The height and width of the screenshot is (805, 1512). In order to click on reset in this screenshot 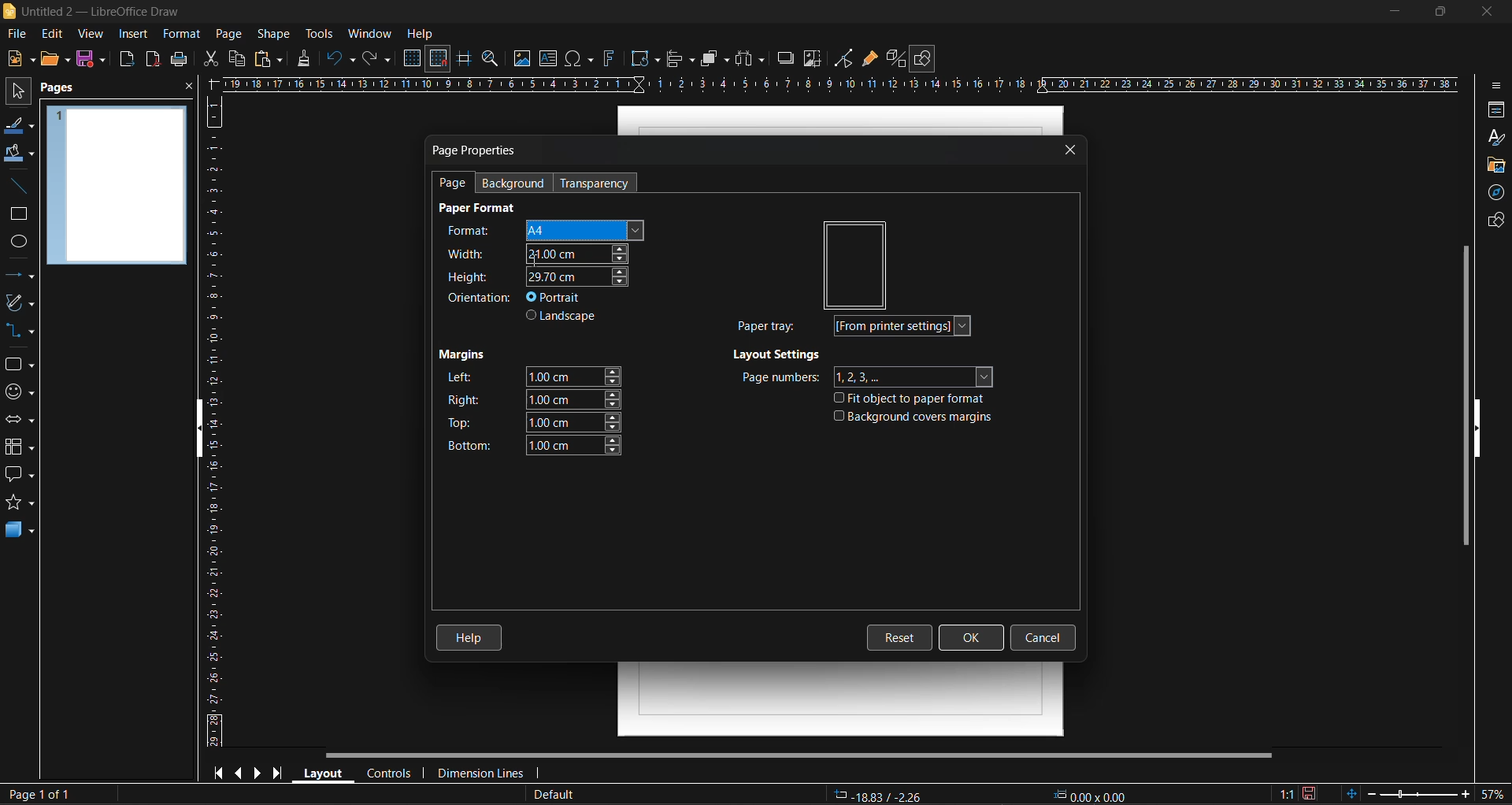, I will do `click(902, 636)`.